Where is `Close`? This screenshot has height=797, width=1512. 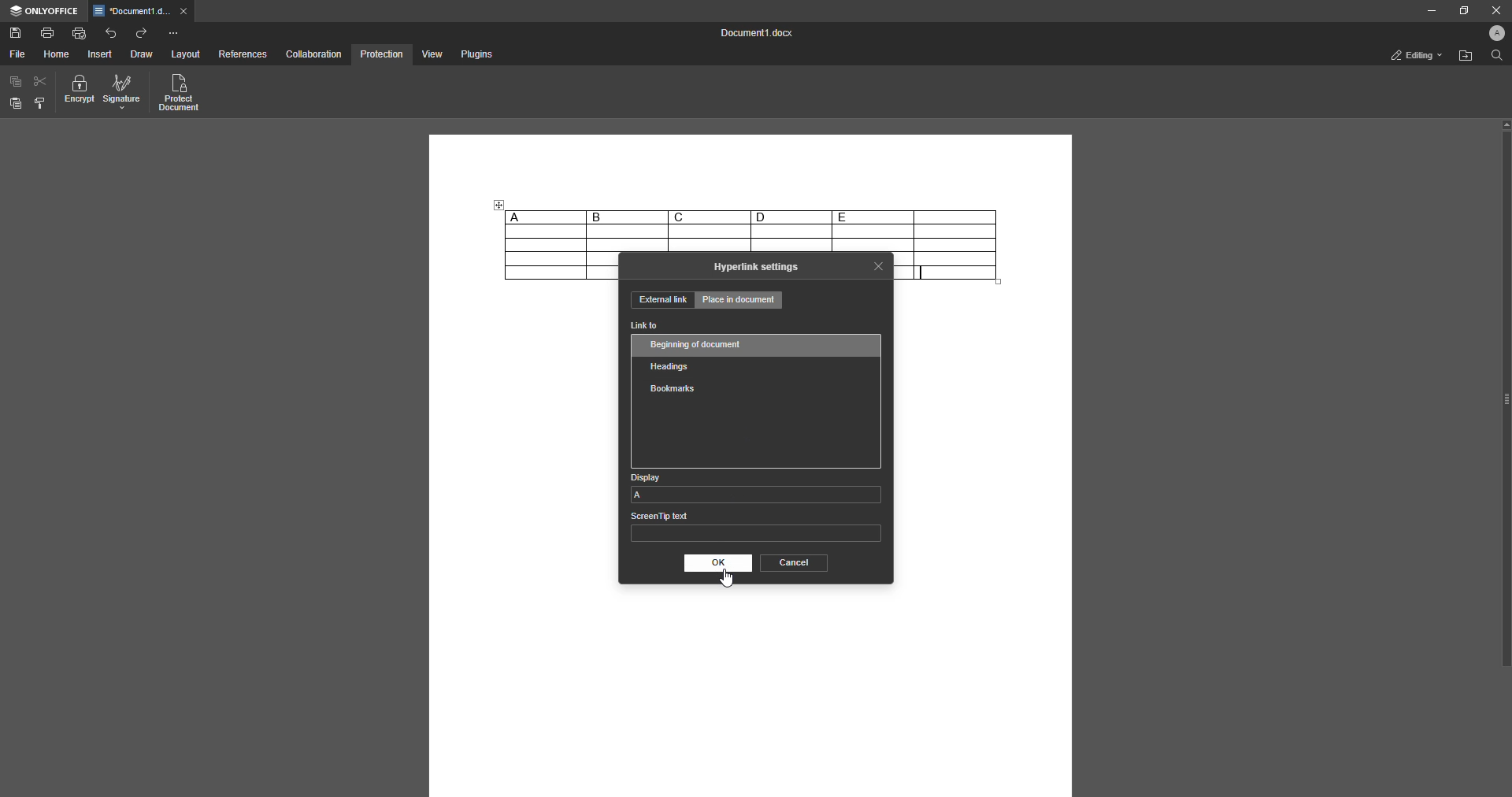 Close is located at coordinates (879, 265).